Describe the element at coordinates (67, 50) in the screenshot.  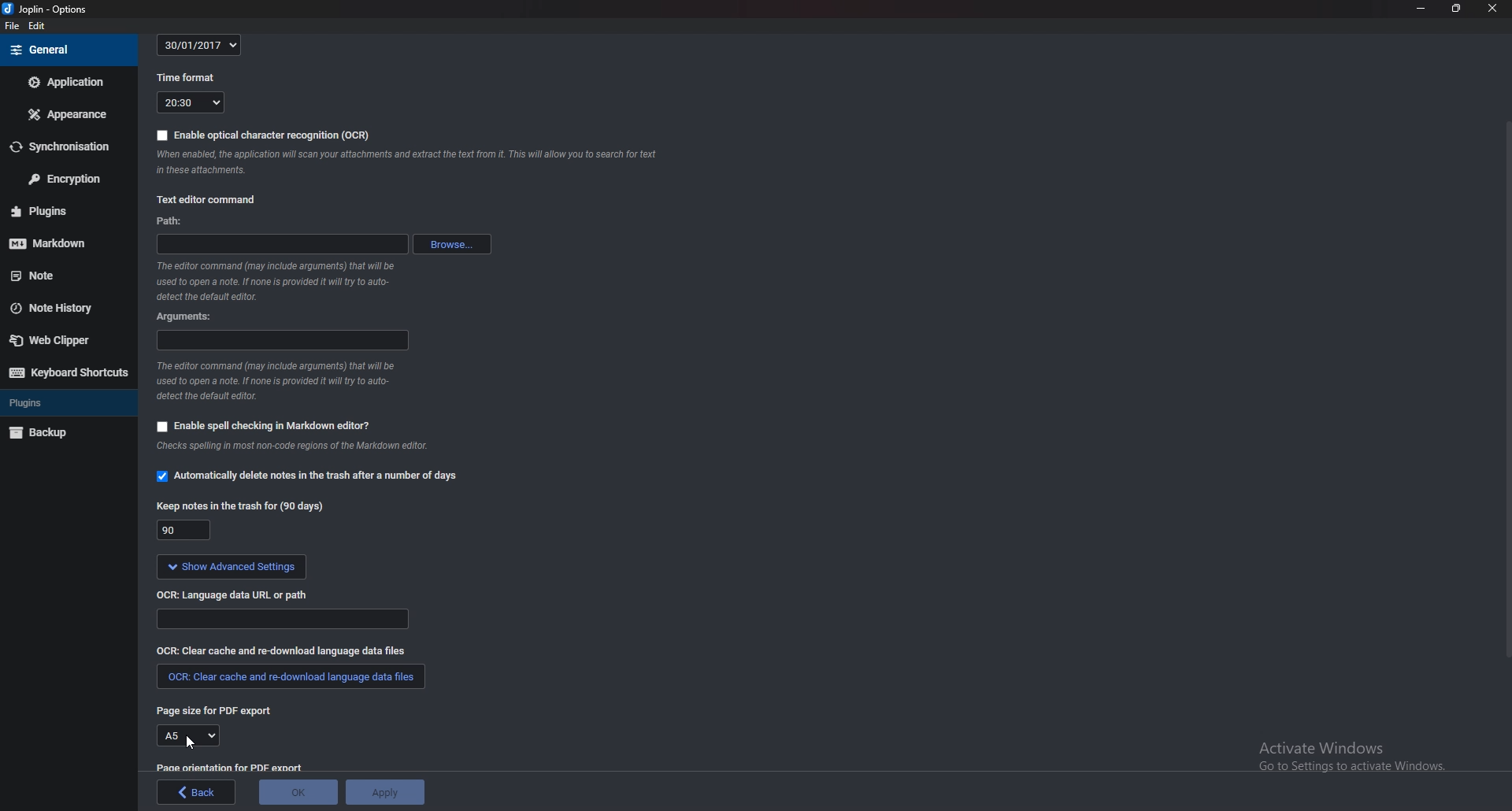
I see `general` at that location.